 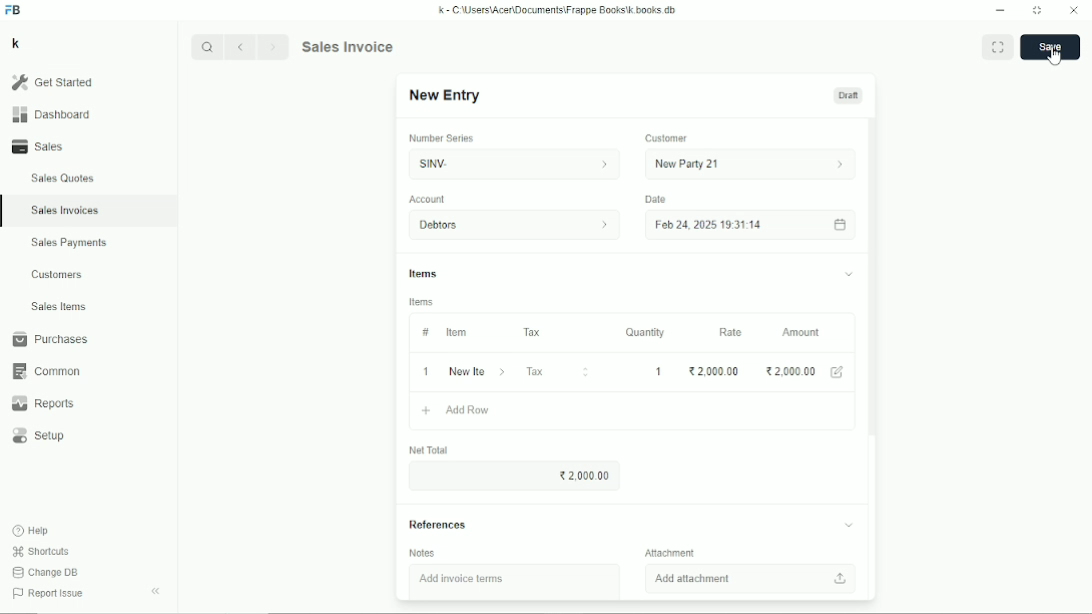 What do you see at coordinates (874, 283) in the screenshot?
I see `Vertical scrollbar` at bounding box center [874, 283].